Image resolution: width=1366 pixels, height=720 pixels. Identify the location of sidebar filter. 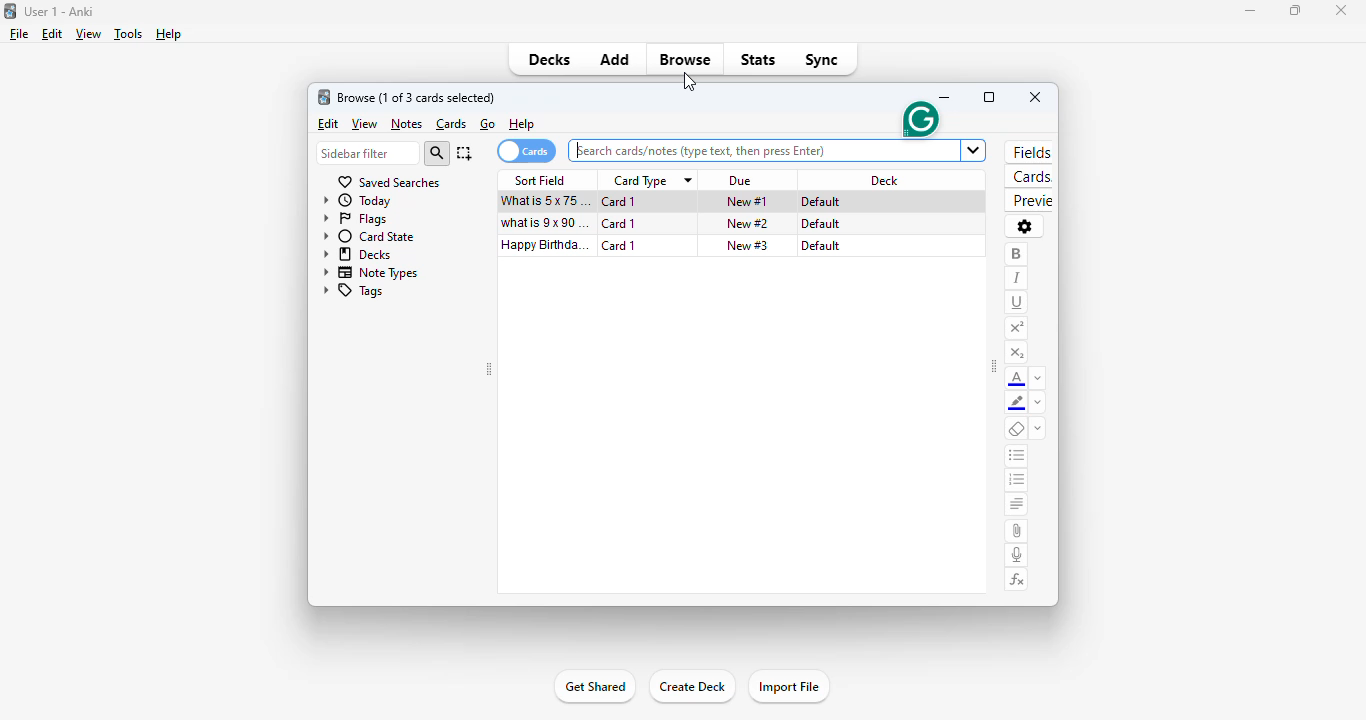
(369, 153).